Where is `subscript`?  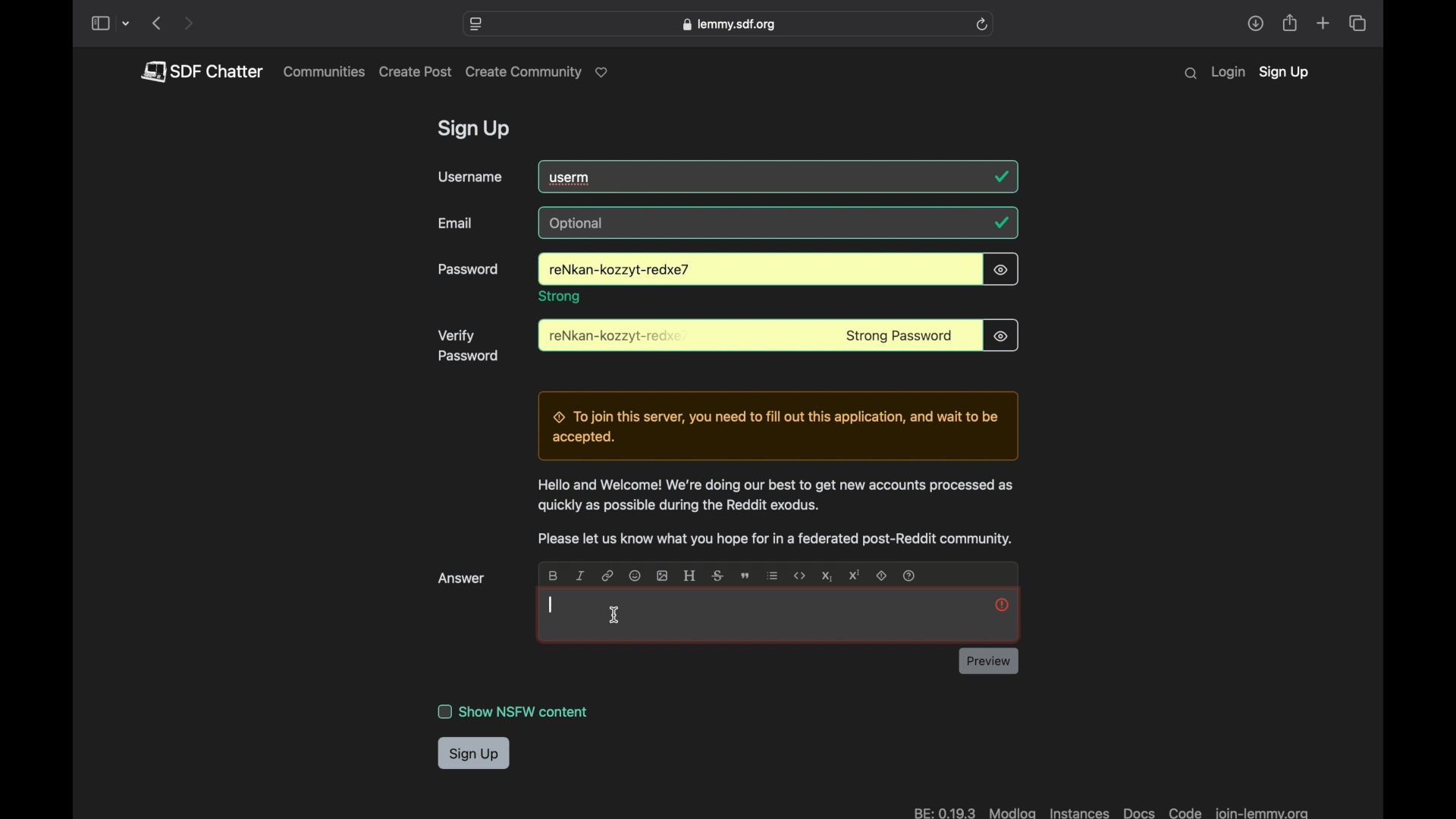 subscript is located at coordinates (825, 576).